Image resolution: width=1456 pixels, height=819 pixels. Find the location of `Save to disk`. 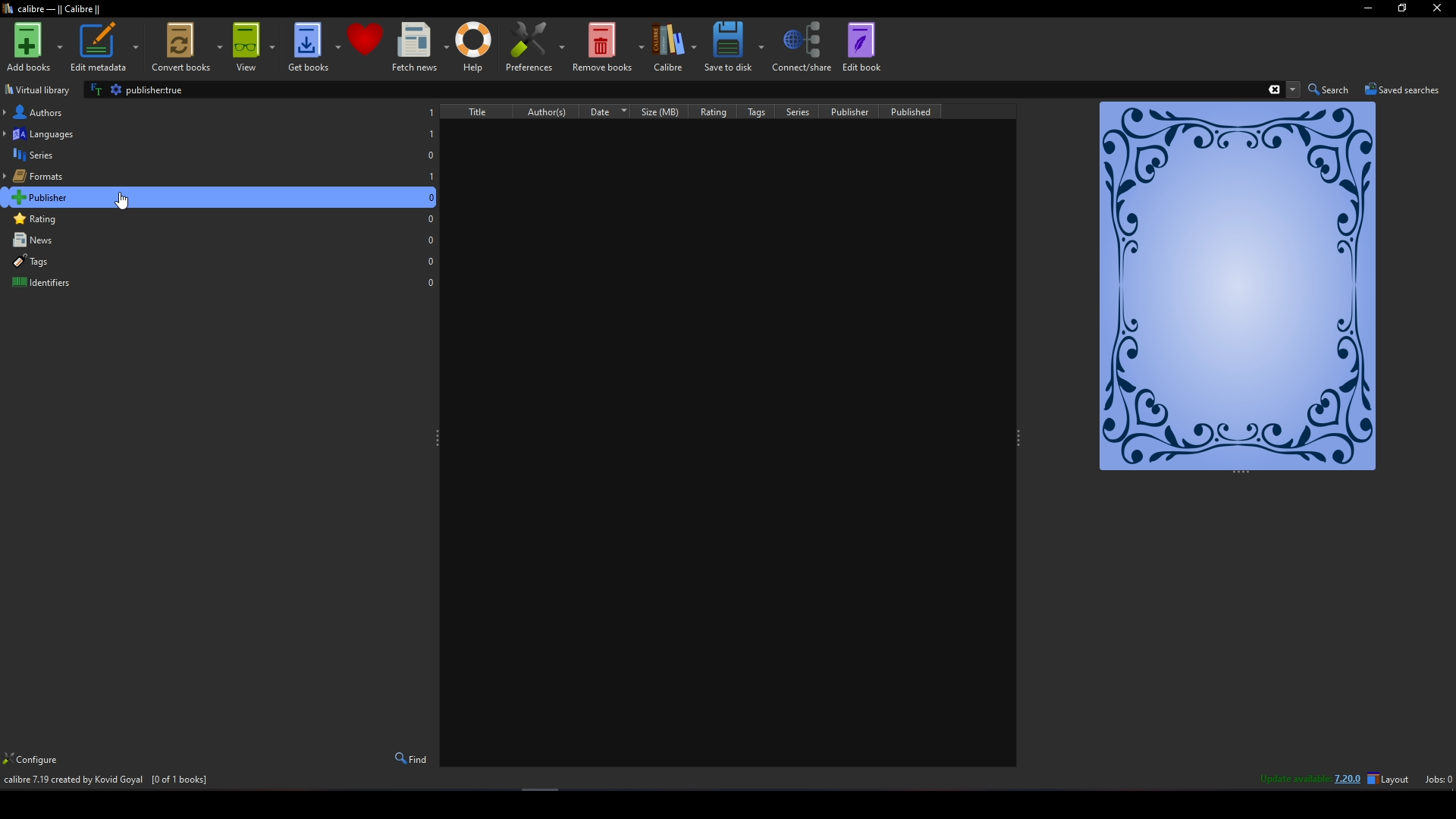

Save to disk is located at coordinates (733, 45).